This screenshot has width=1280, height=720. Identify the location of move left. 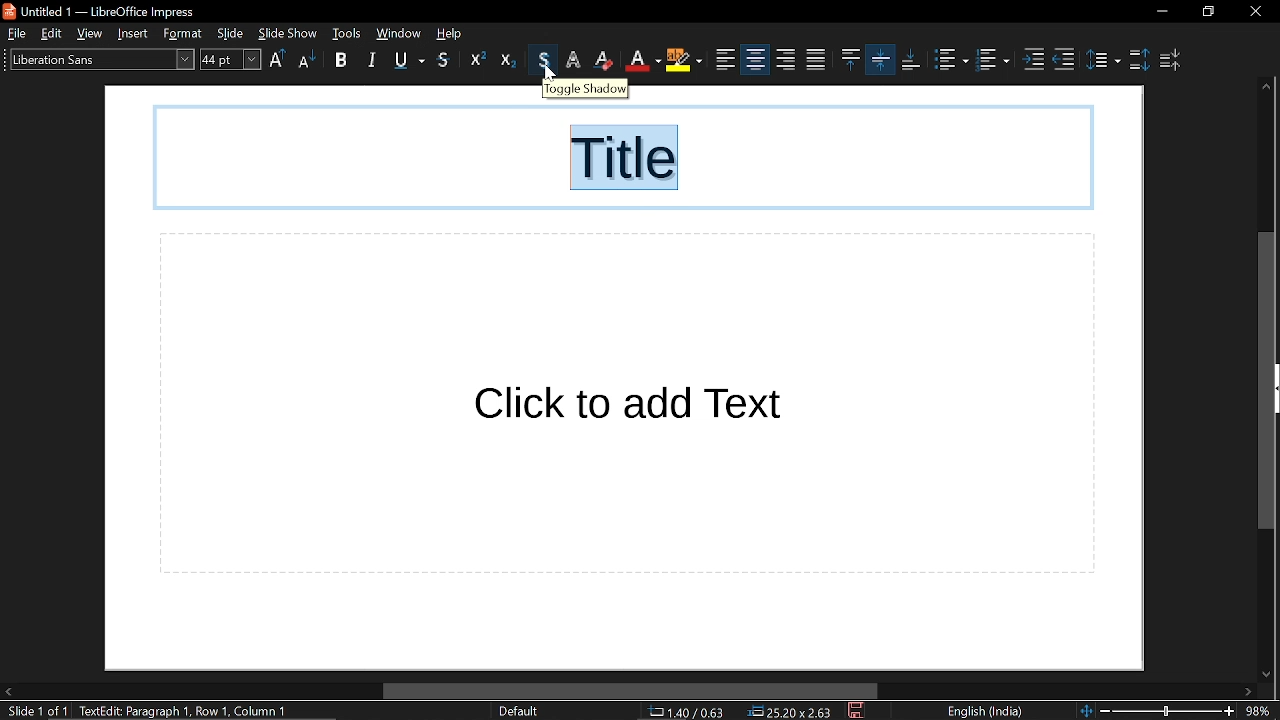
(8, 692).